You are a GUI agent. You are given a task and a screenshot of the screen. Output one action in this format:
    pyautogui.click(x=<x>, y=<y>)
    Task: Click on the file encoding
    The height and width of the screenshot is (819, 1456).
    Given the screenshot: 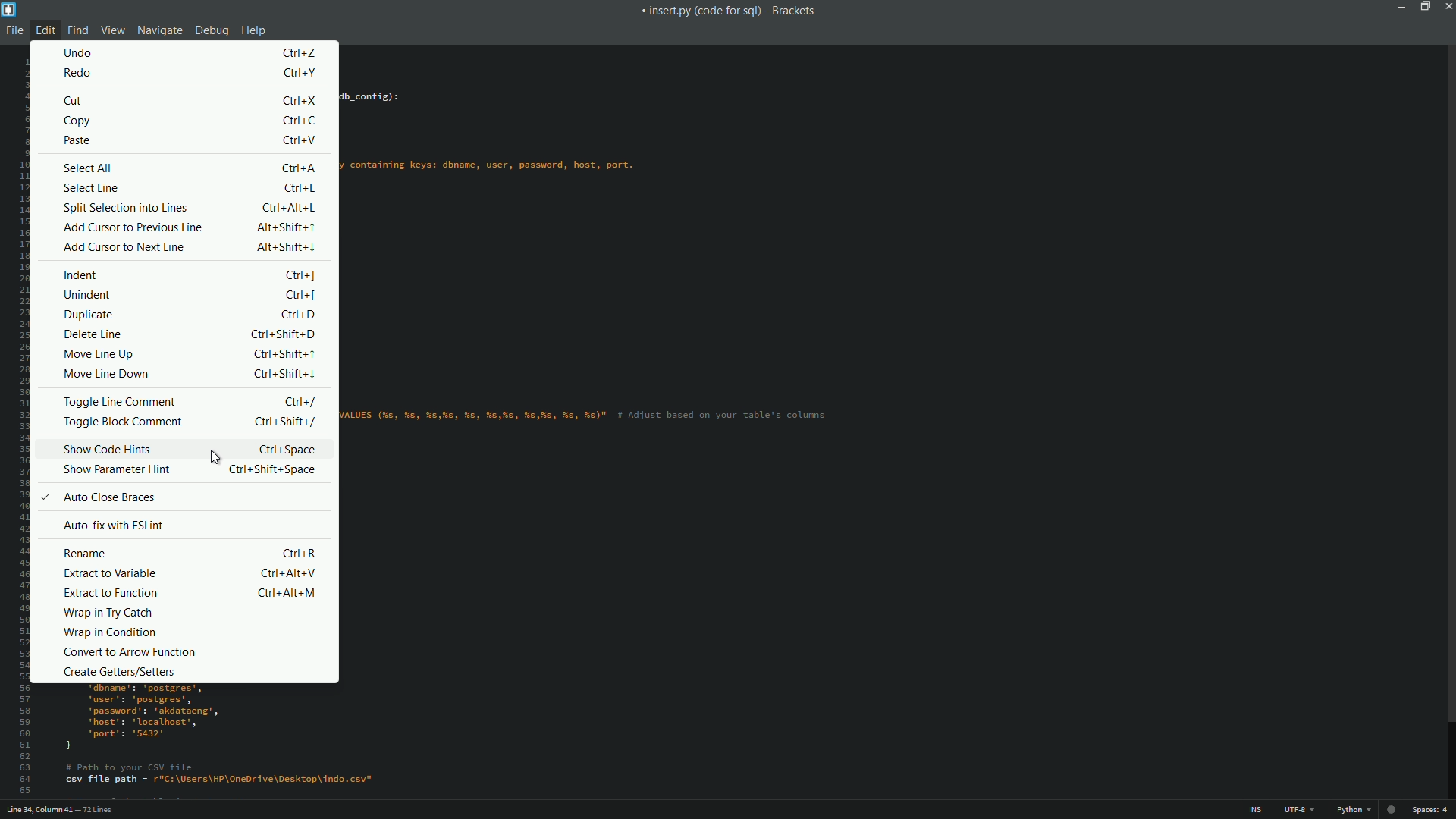 What is the action you would take?
    pyautogui.click(x=1299, y=810)
    